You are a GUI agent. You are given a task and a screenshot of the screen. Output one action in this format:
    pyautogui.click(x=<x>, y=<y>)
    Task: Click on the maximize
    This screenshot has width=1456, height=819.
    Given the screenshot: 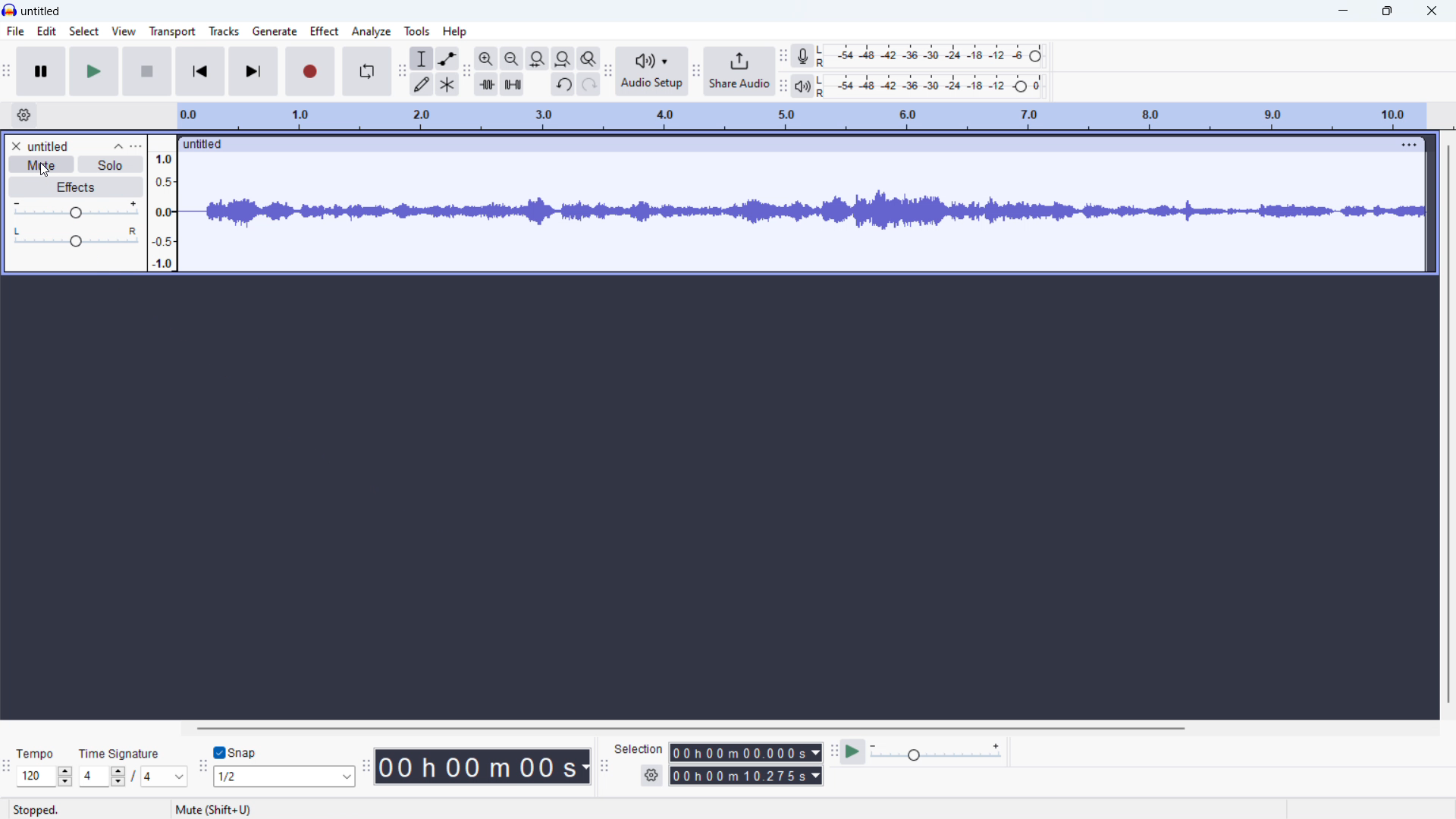 What is the action you would take?
    pyautogui.click(x=1386, y=11)
    